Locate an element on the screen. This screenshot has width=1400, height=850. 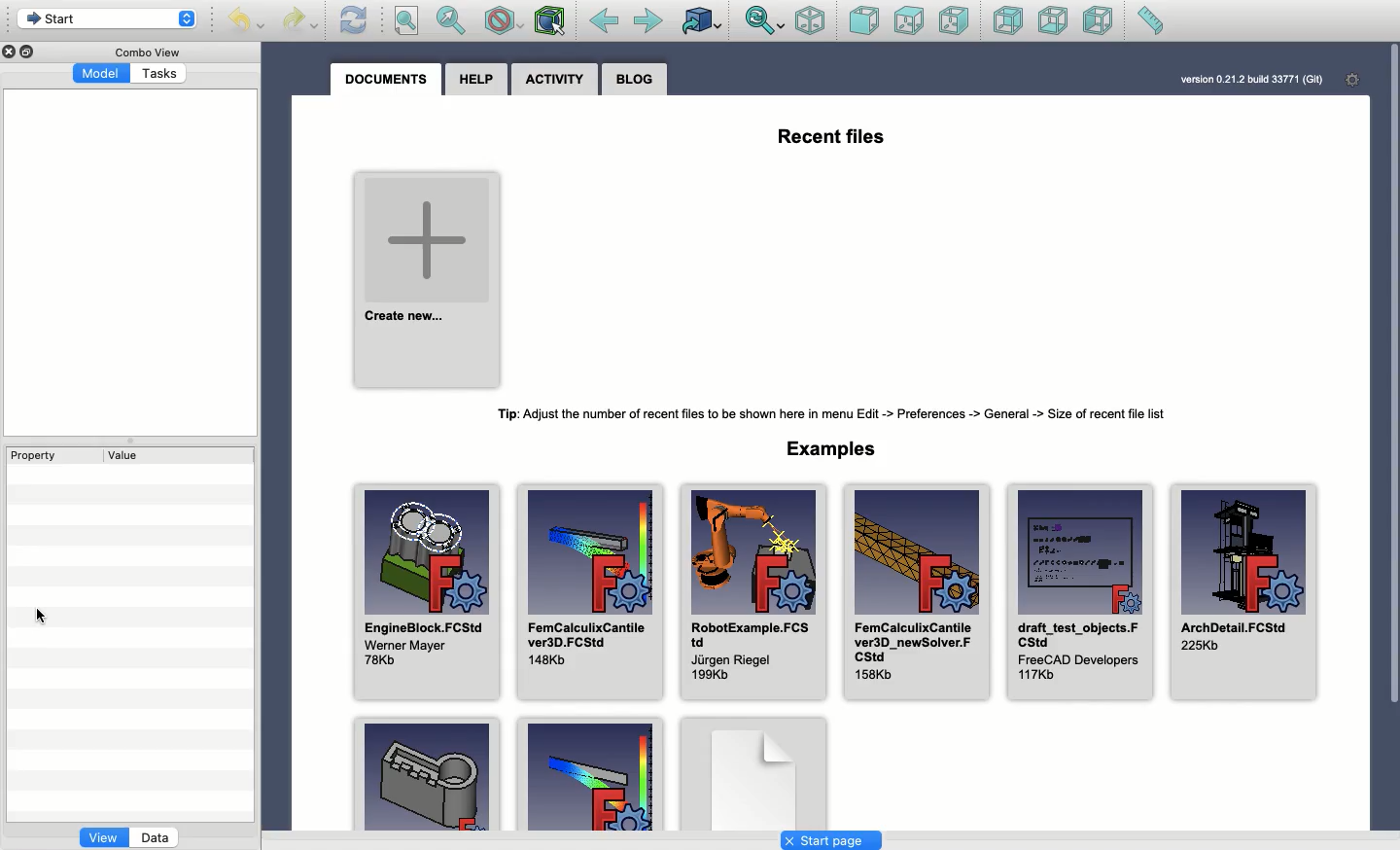
draft_test_objects.FCStd FreeCAD Developers 117Kb is located at coordinates (1081, 592).